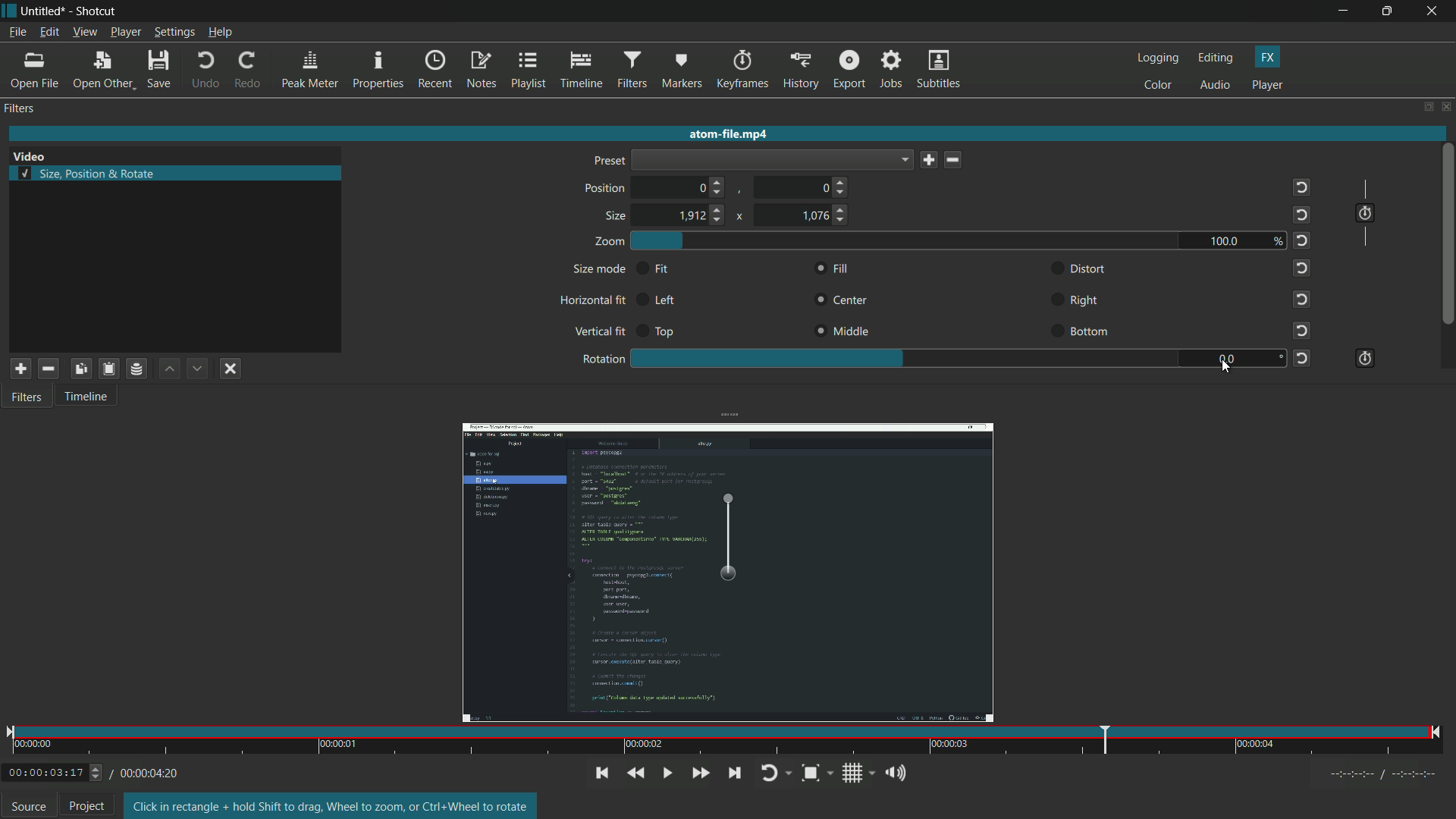 This screenshot has height=819, width=1456. What do you see at coordinates (377, 71) in the screenshot?
I see `properties` at bounding box center [377, 71].